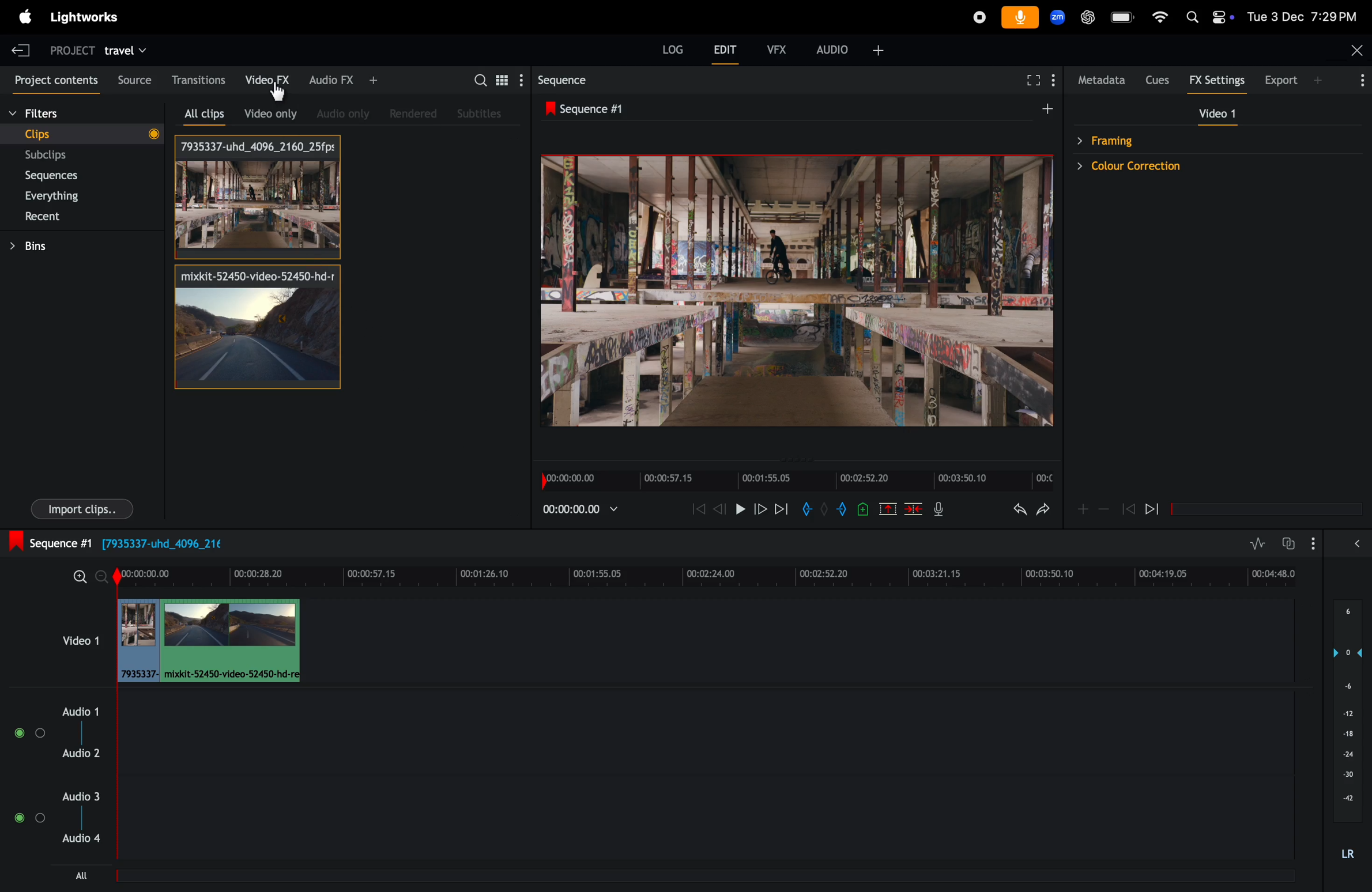 This screenshot has width=1372, height=892. Describe the element at coordinates (50, 112) in the screenshot. I see `filters` at that location.